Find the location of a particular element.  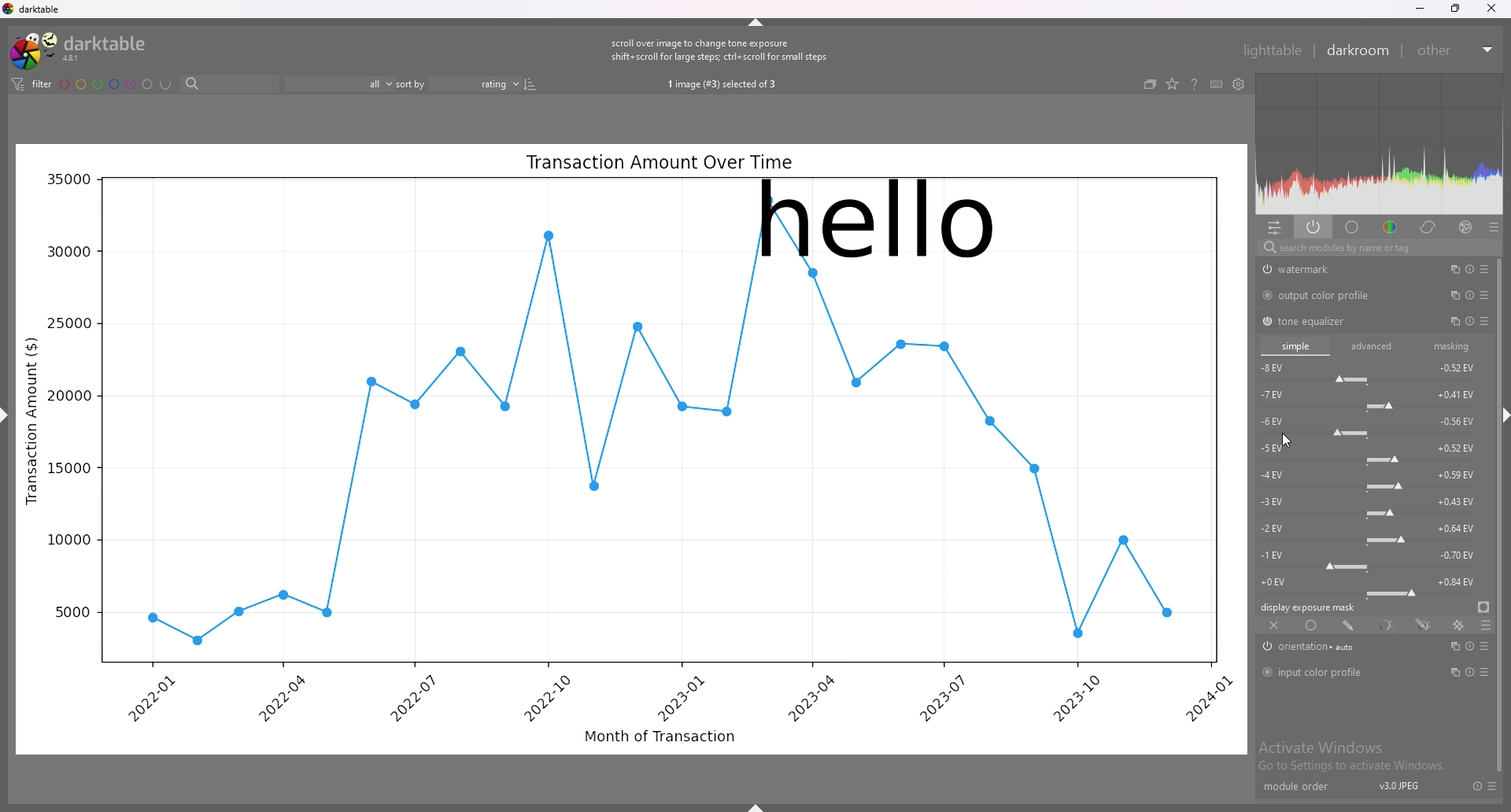

-4 EV force is located at coordinates (1371, 479).